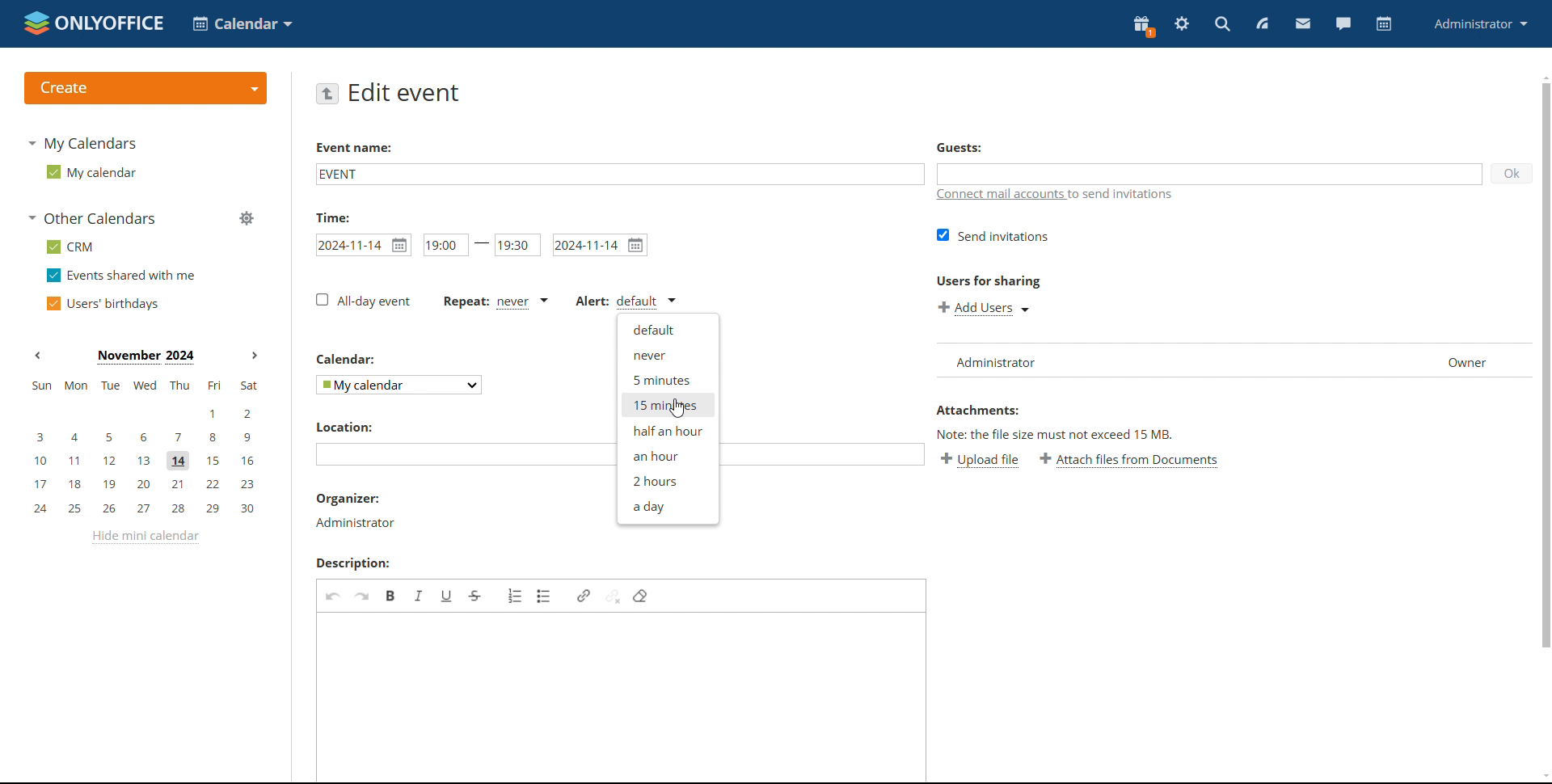 This screenshot has width=1552, height=784. Describe the element at coordinates (351, 426) in the screenshot. I see `location:` at that location.